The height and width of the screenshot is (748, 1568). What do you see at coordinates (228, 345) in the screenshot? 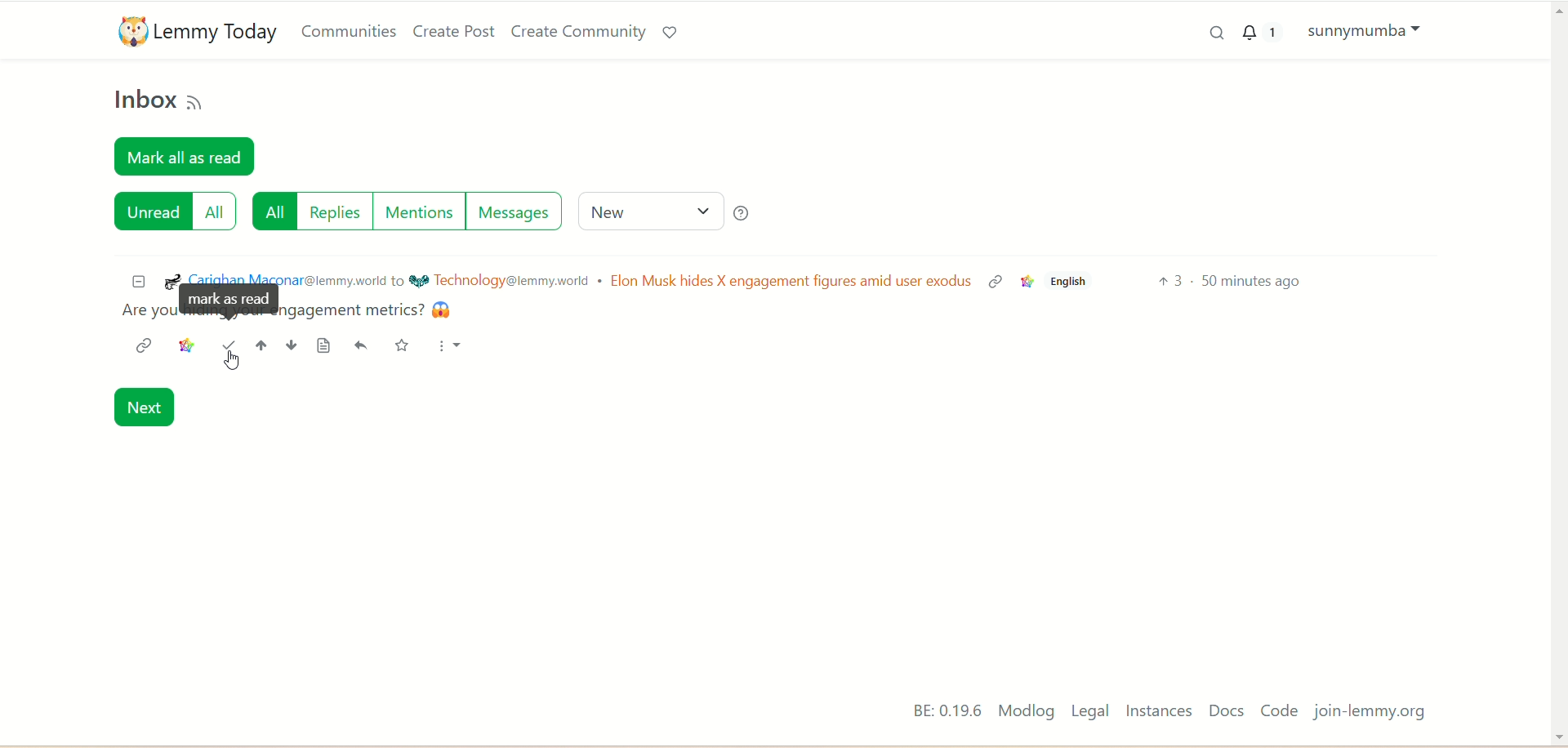
I see `mark read` at bounding box center [228, 345].